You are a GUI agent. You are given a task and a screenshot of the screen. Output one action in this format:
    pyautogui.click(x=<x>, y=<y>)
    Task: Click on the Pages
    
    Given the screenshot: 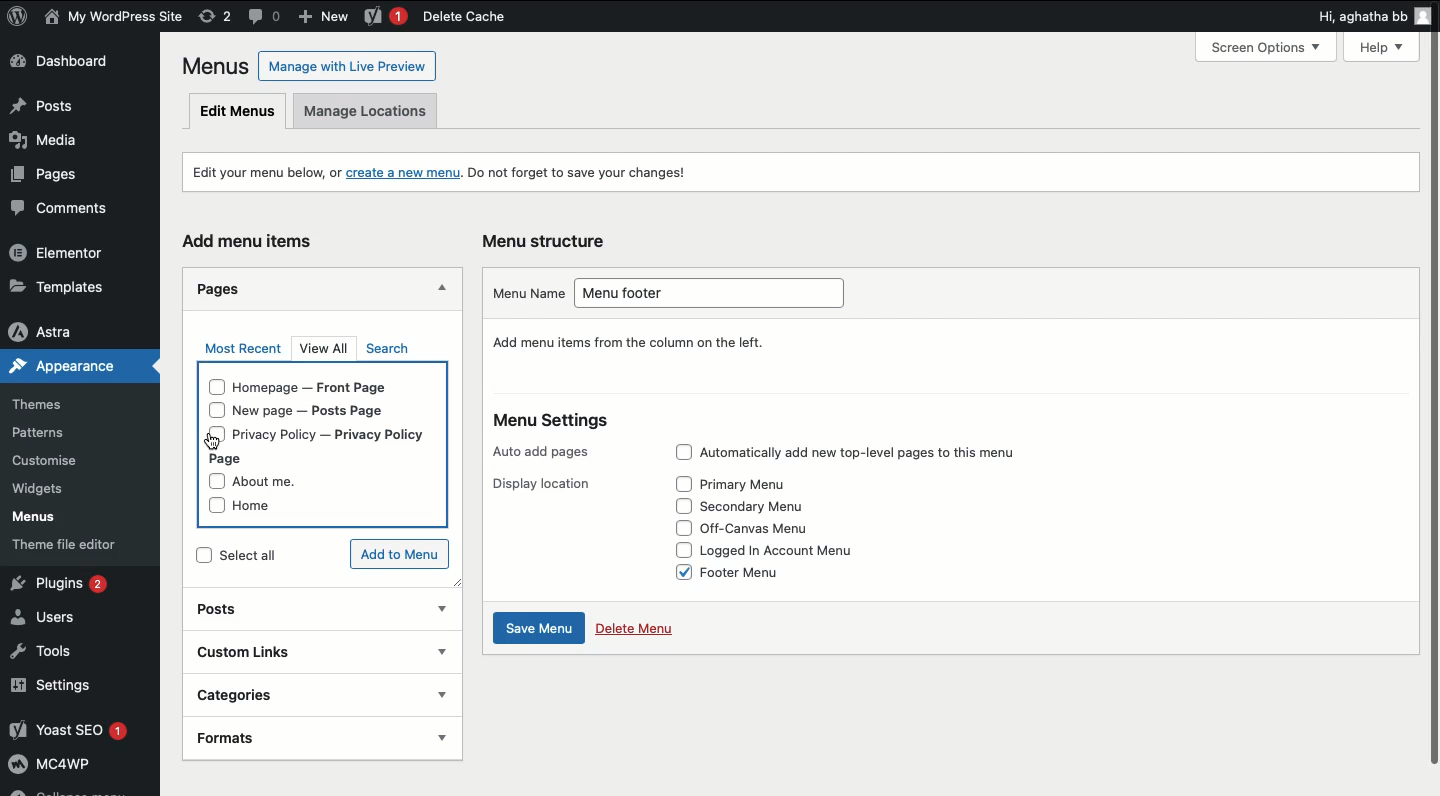 What is the action you would take?
    pyautogui.click(x=215, y=289)
    